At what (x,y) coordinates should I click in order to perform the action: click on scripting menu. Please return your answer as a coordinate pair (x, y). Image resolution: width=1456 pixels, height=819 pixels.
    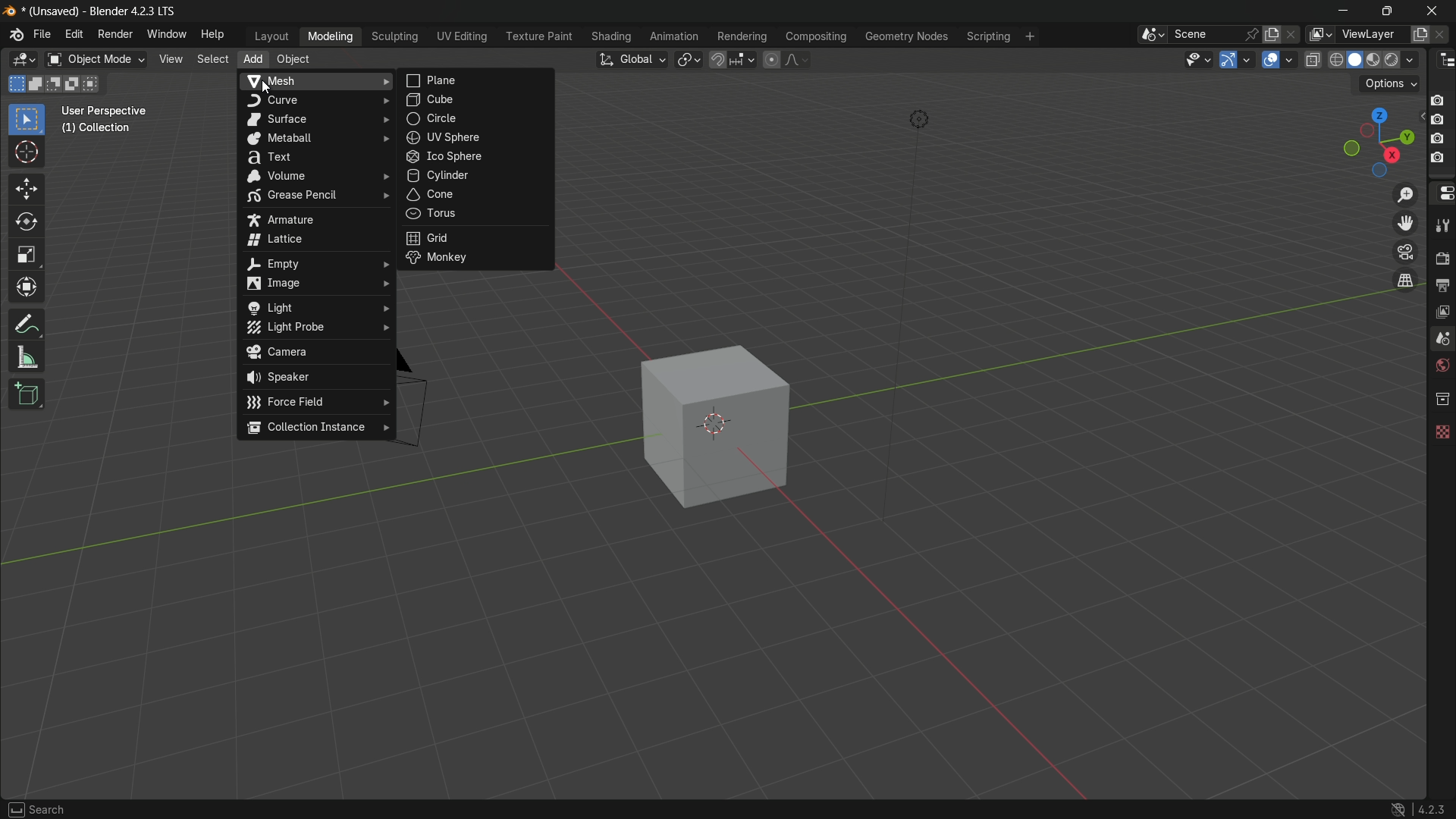
    Looking at the image, I should click on (987, 36).